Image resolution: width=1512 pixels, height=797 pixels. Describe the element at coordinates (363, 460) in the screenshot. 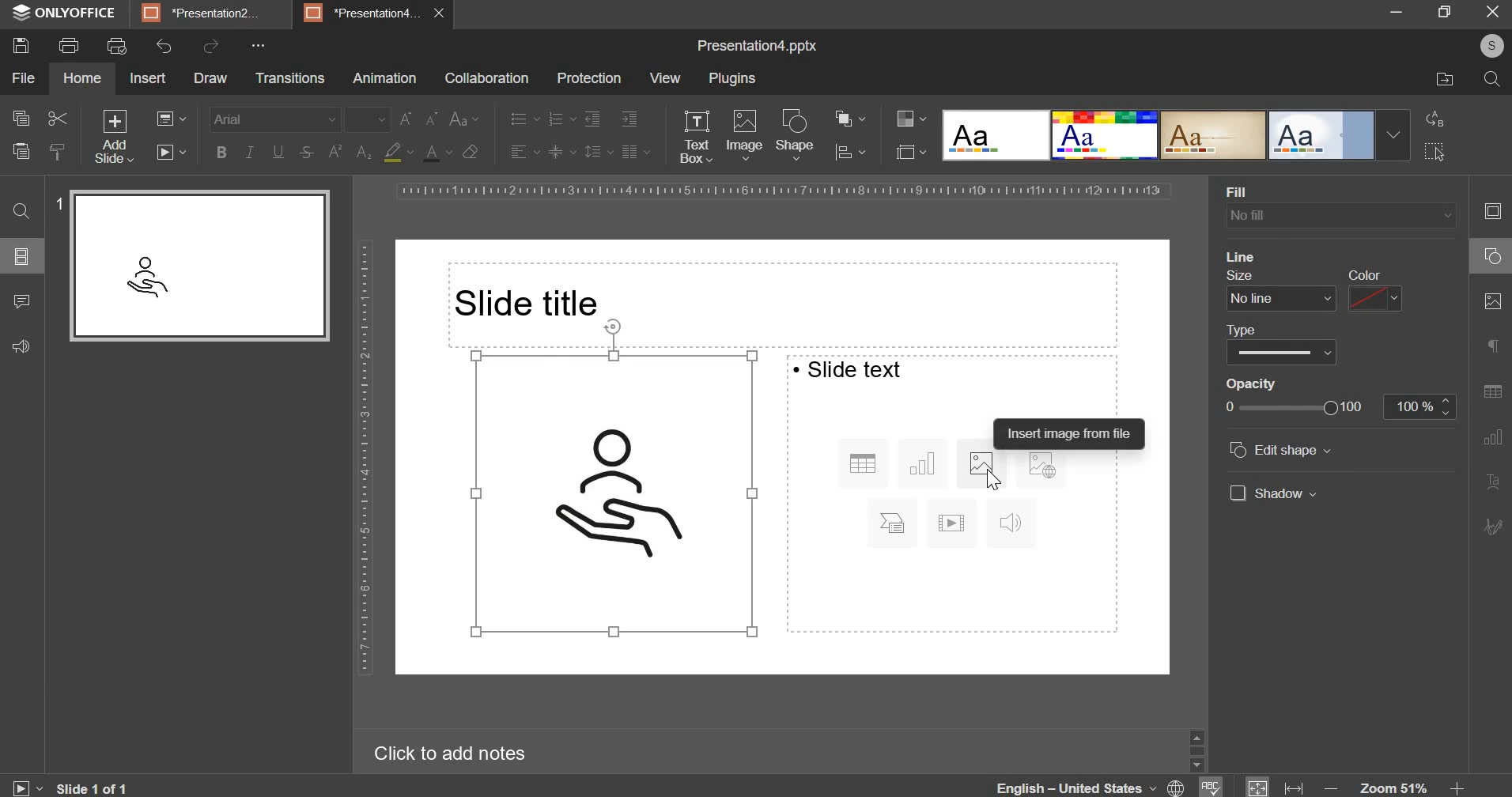

I see `vertical scale` at that location.